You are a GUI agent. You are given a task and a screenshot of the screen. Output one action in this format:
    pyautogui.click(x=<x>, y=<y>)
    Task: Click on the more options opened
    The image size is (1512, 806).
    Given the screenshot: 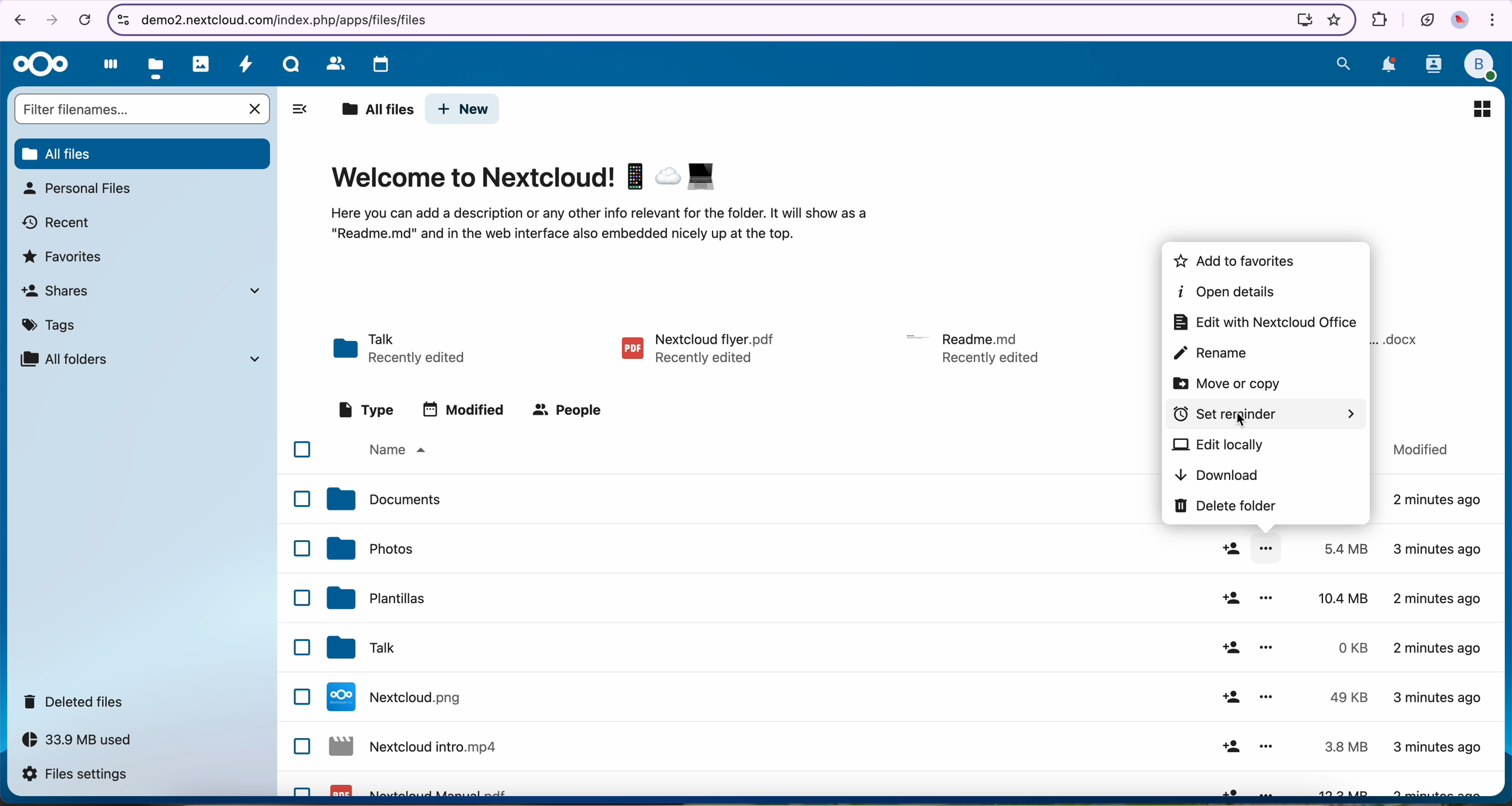 What is the action you would take?
    pyautogui.click(x=1266, y=550)
    